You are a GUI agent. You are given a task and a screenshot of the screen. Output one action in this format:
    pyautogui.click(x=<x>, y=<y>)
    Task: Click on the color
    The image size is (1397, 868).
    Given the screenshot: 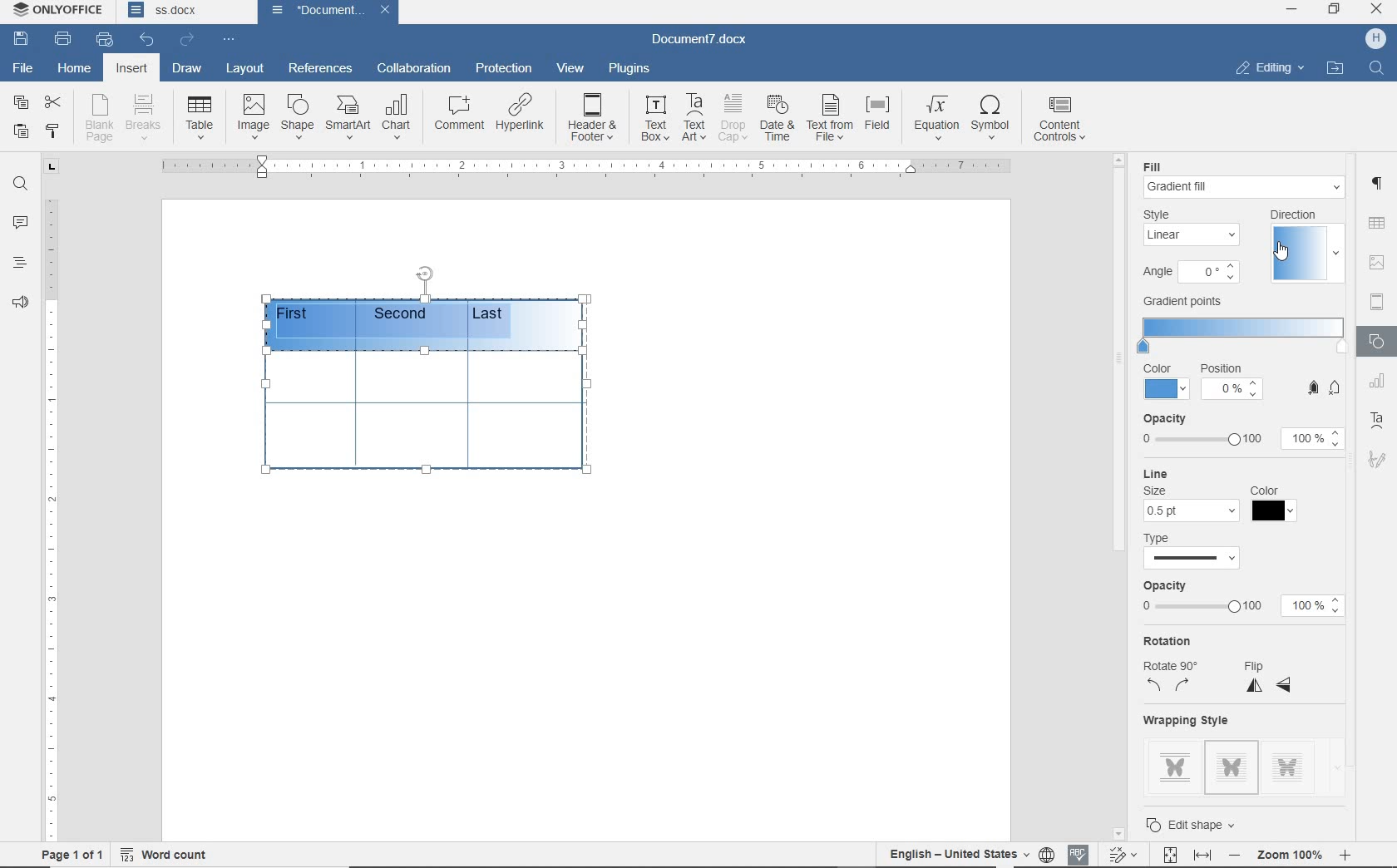 What is the action you would take?
    pyautogui.click(x=1279, y=514)
    